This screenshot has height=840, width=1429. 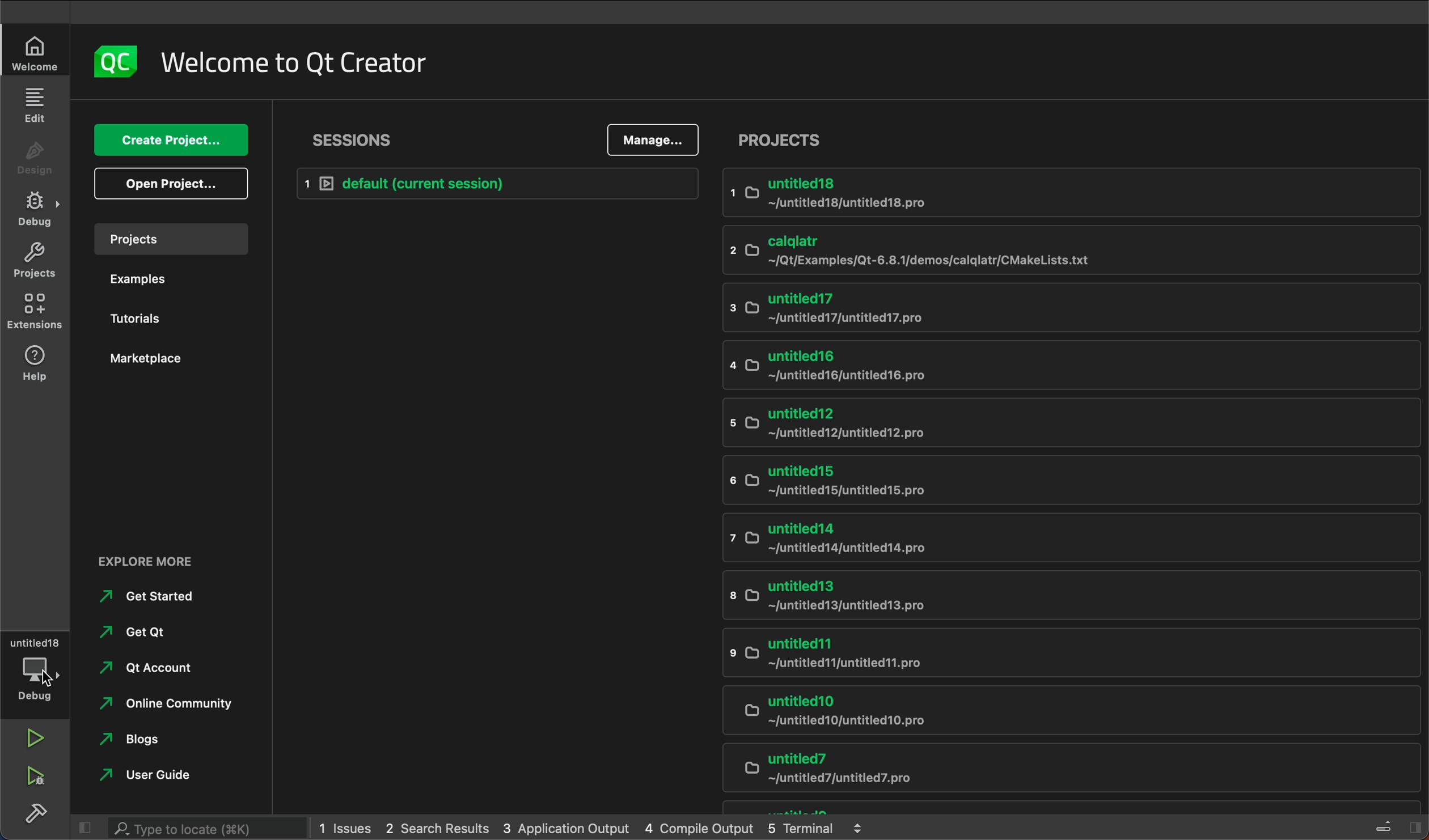 I want to click on examples, so click(x=168, y=282).